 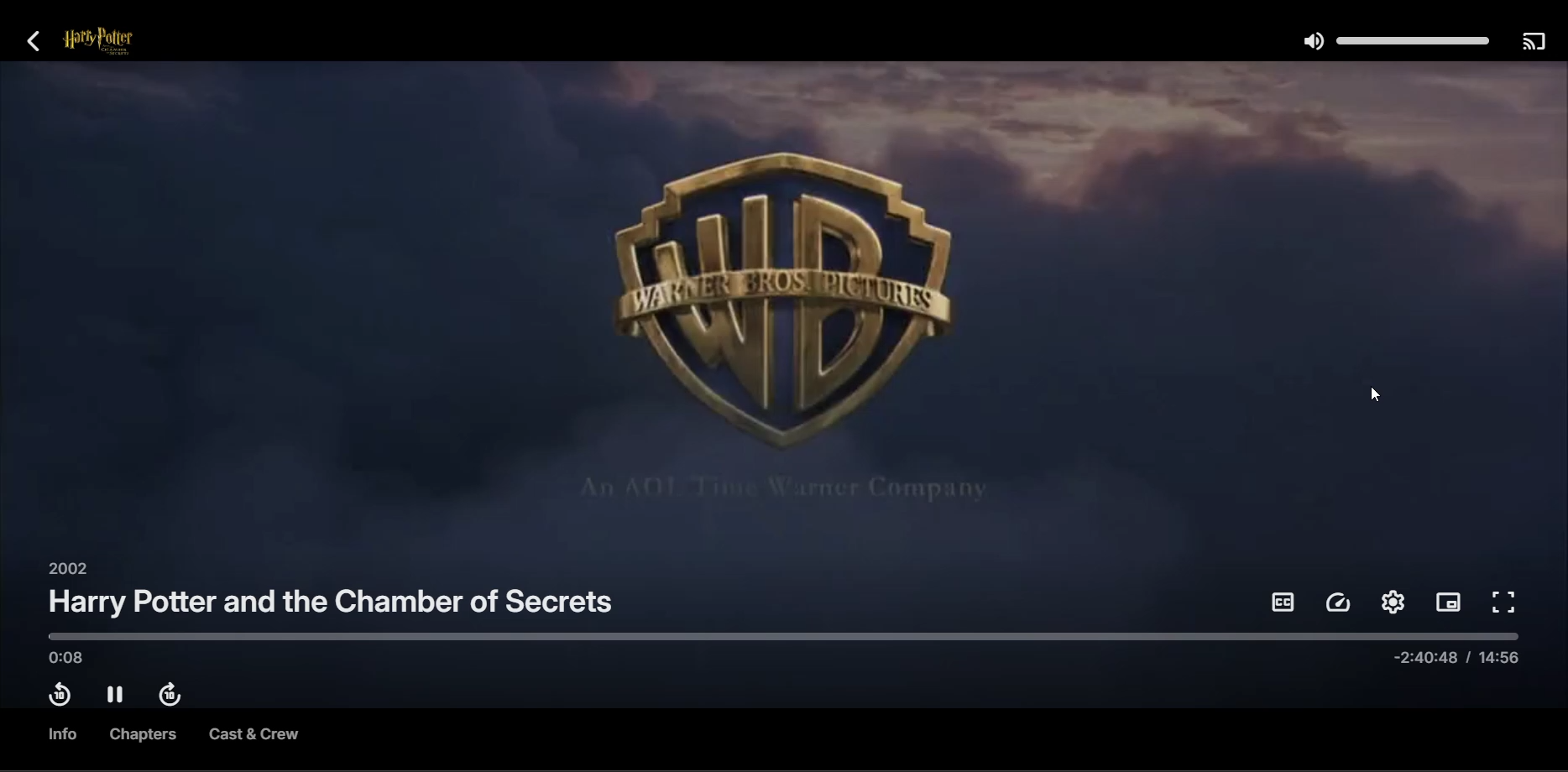 What do you see at coordinates (1450, 602) in the screenshot?
I see `Picture in picture` at bounding box center [1450, 602].